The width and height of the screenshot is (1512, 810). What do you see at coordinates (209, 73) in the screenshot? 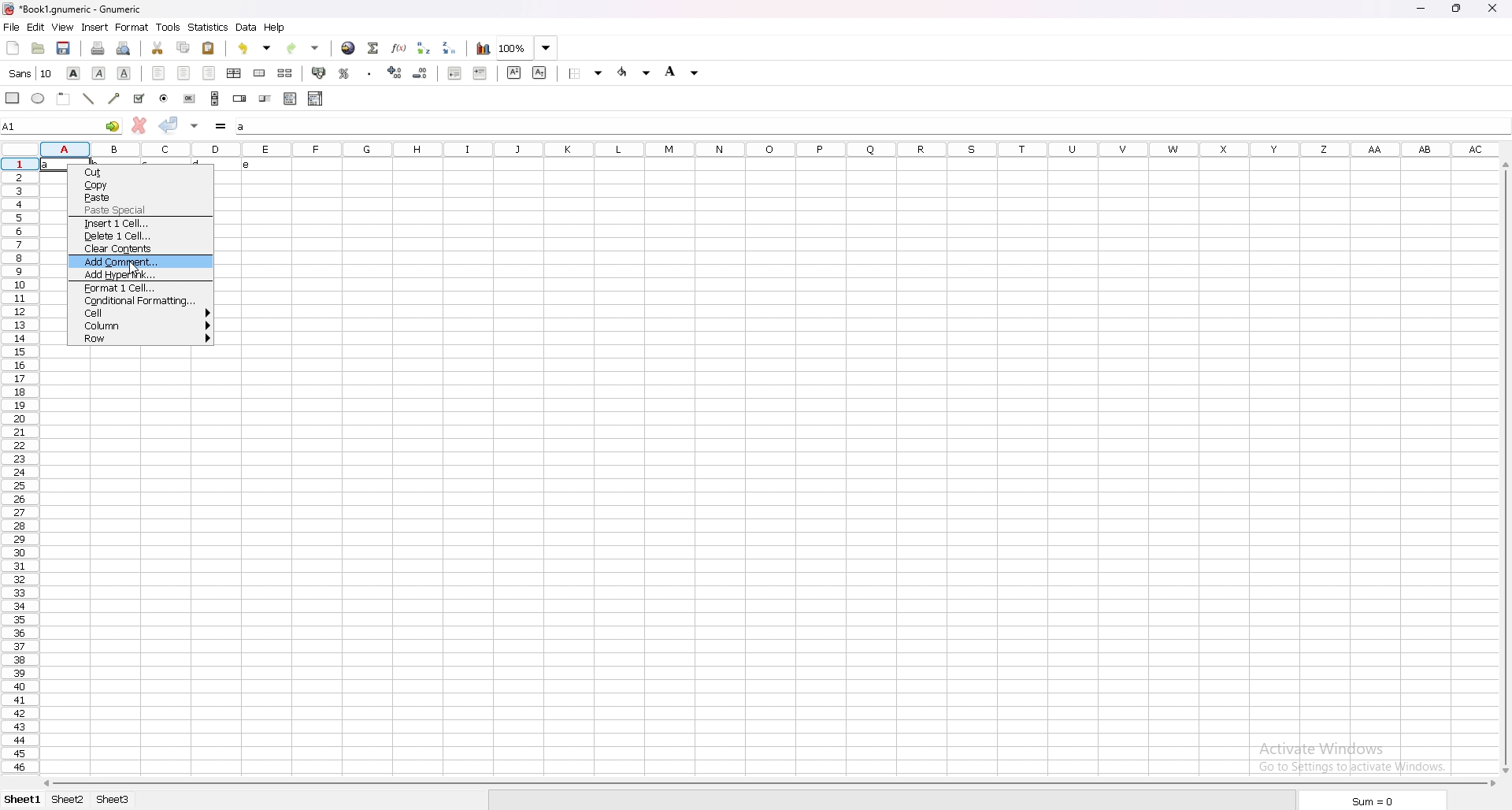
I see `right align` at bounding box center [209, 73].